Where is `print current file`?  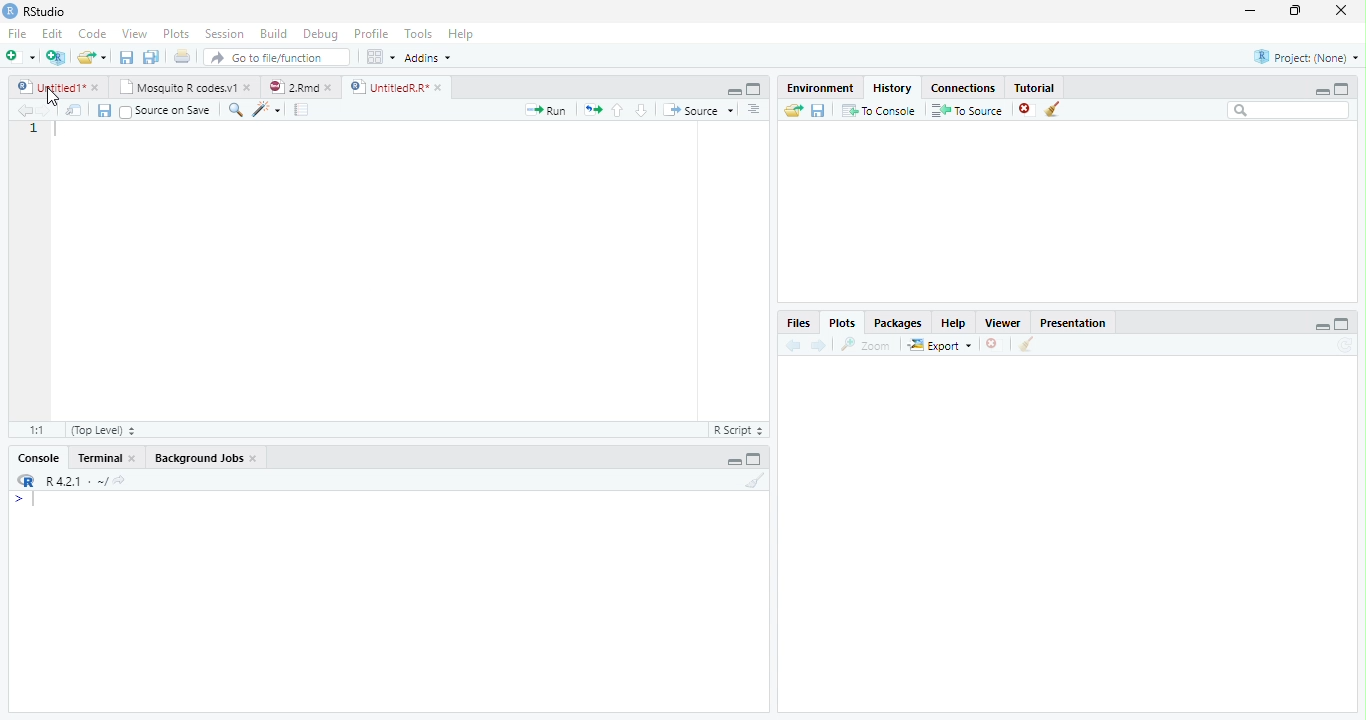
print current file is located at coordinates (182, 56).